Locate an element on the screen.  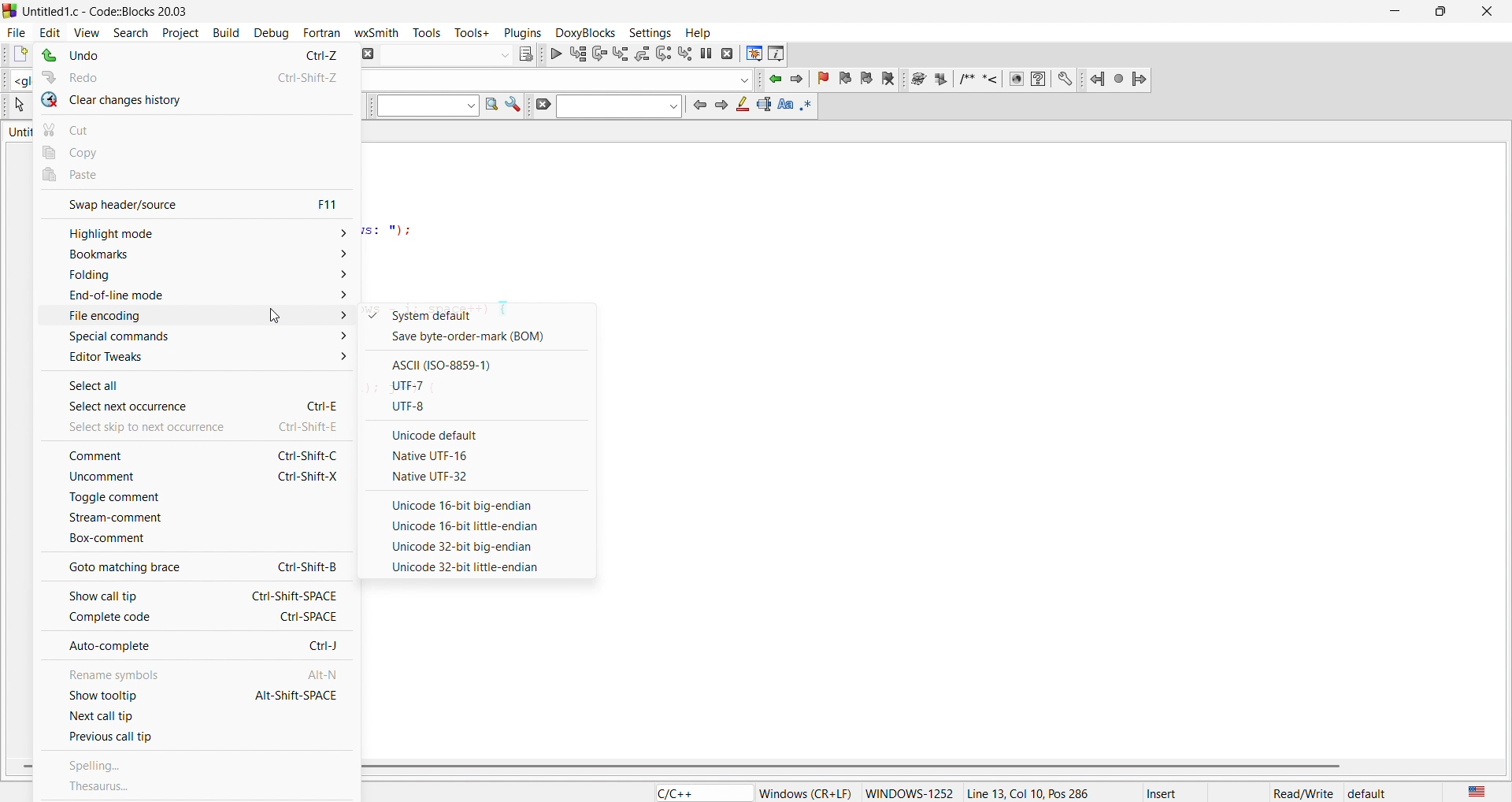
debug is located at coordinates (272, 35).